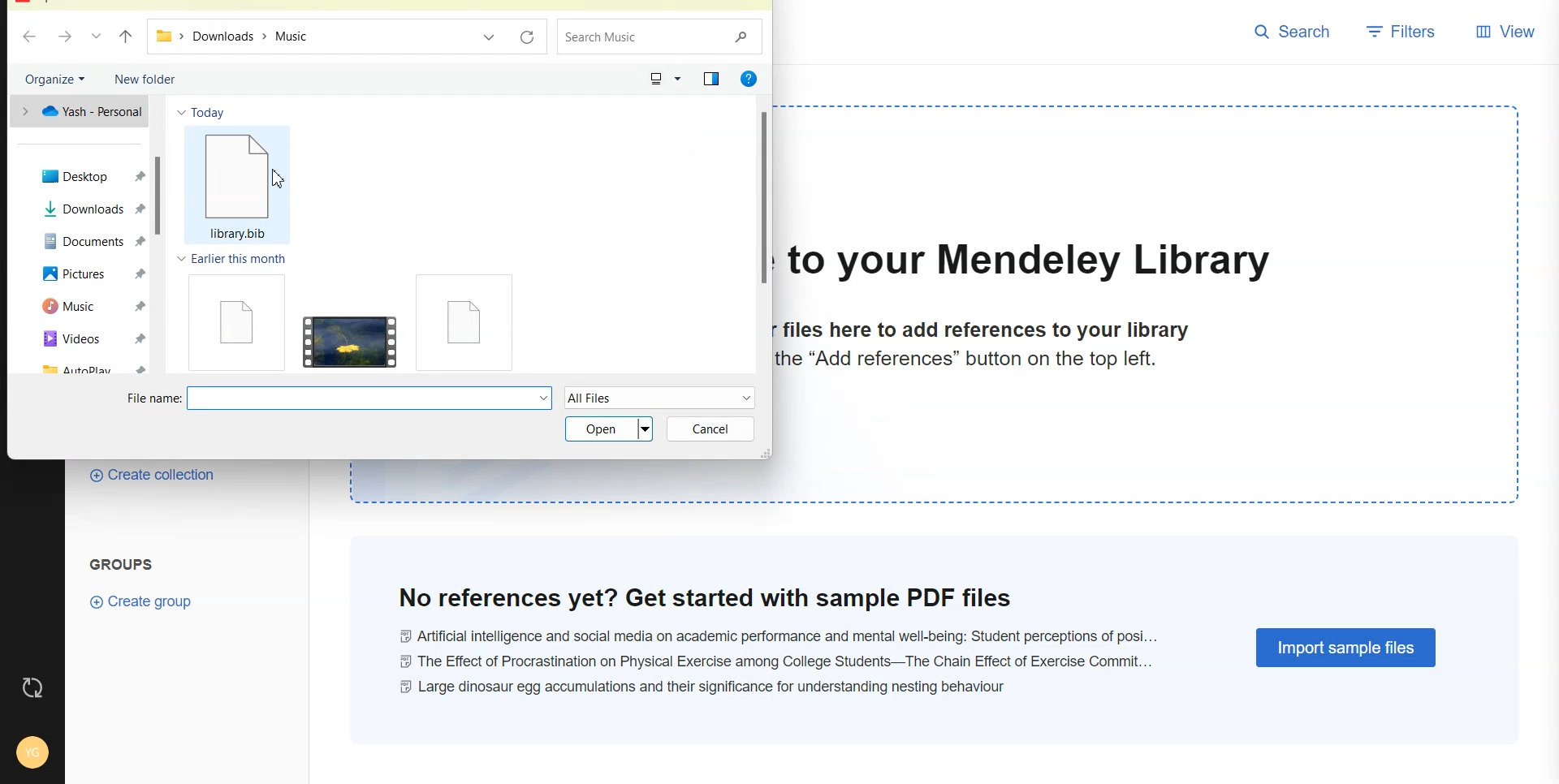  What do you see at coordinates (712, 429) in the screenshot?
I see `Cancel` at bounding box center [712, 429].